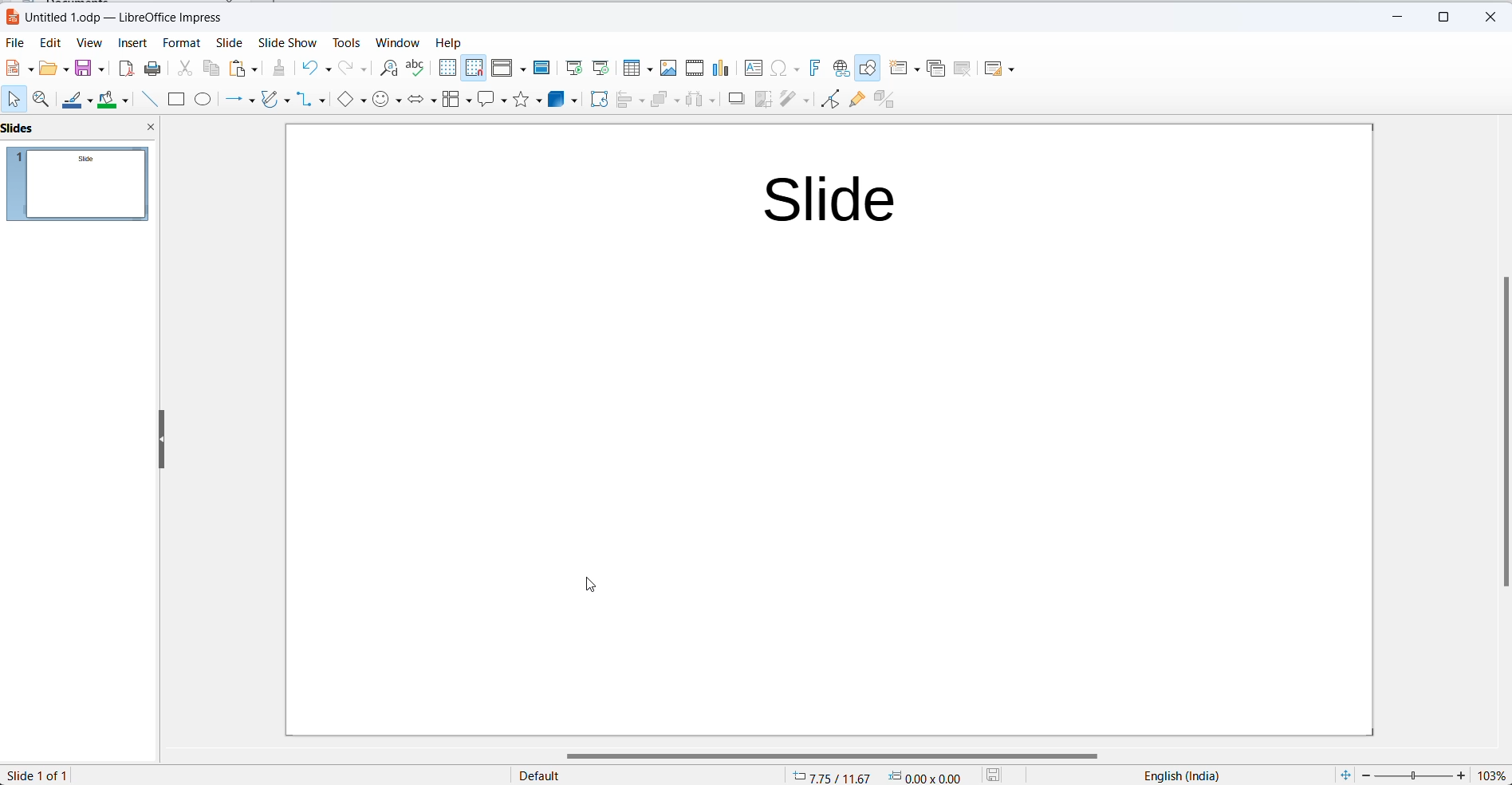 This screenshot has height=785, width=1512. Describe the element at coordinates (40, 103) in the screenshot. I see `Zoom and pan` at that location.